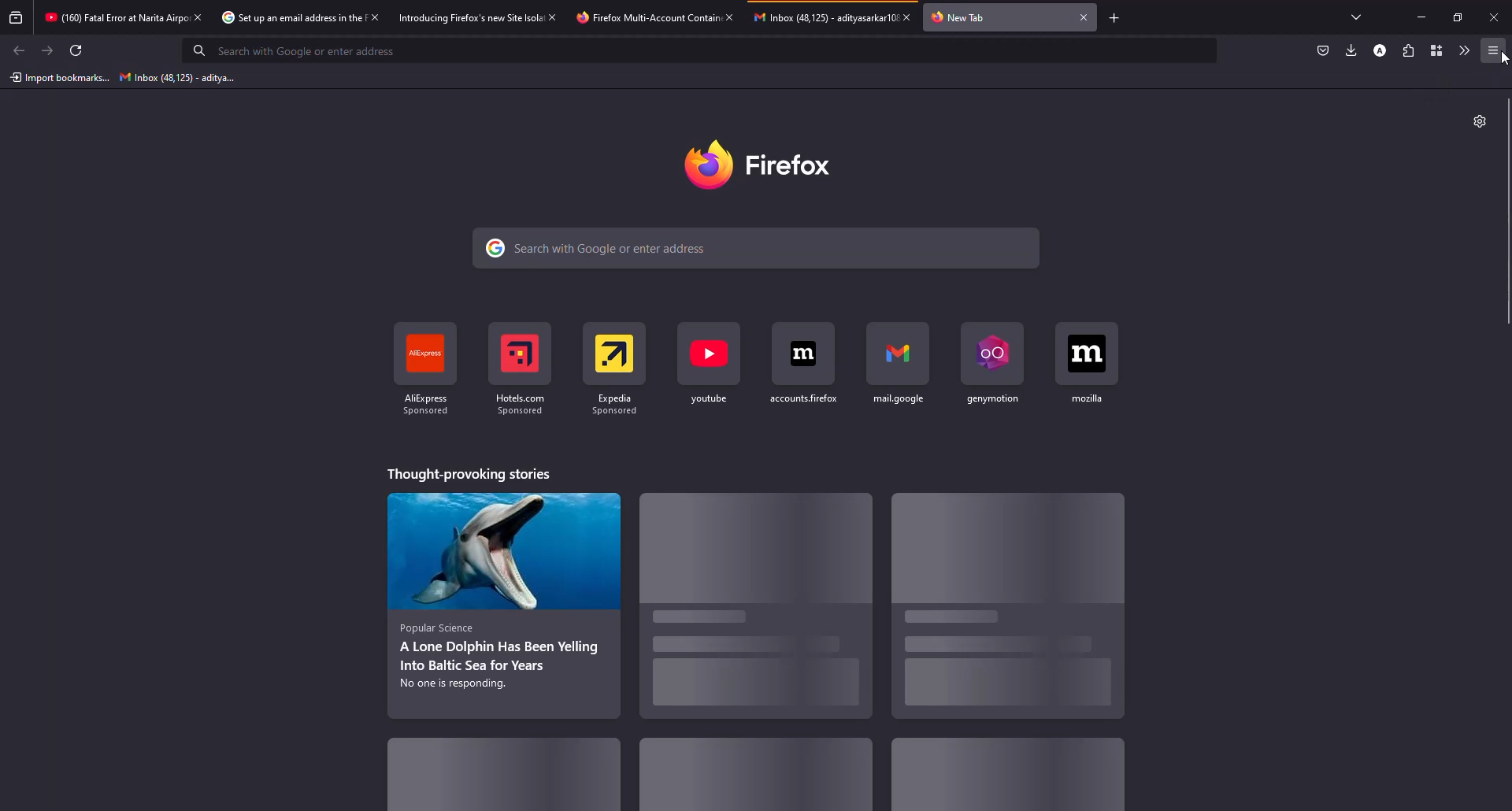  What do you see at coordinates (302, 51) in the screenshot?
I see `search` at bounding box center [302, 51].